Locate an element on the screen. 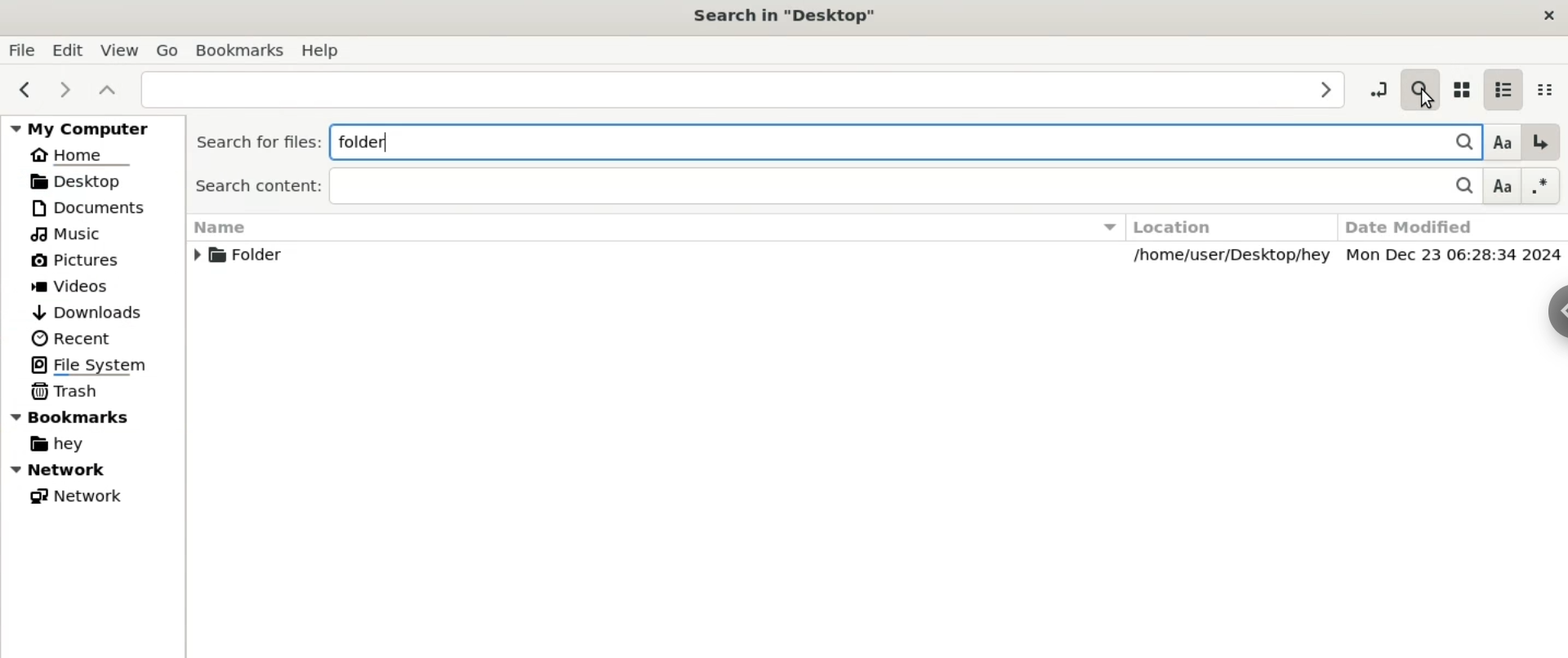 The height and width of the screenshot is (658, 1568). toggle location entry is located at coordinates (1377, 85).